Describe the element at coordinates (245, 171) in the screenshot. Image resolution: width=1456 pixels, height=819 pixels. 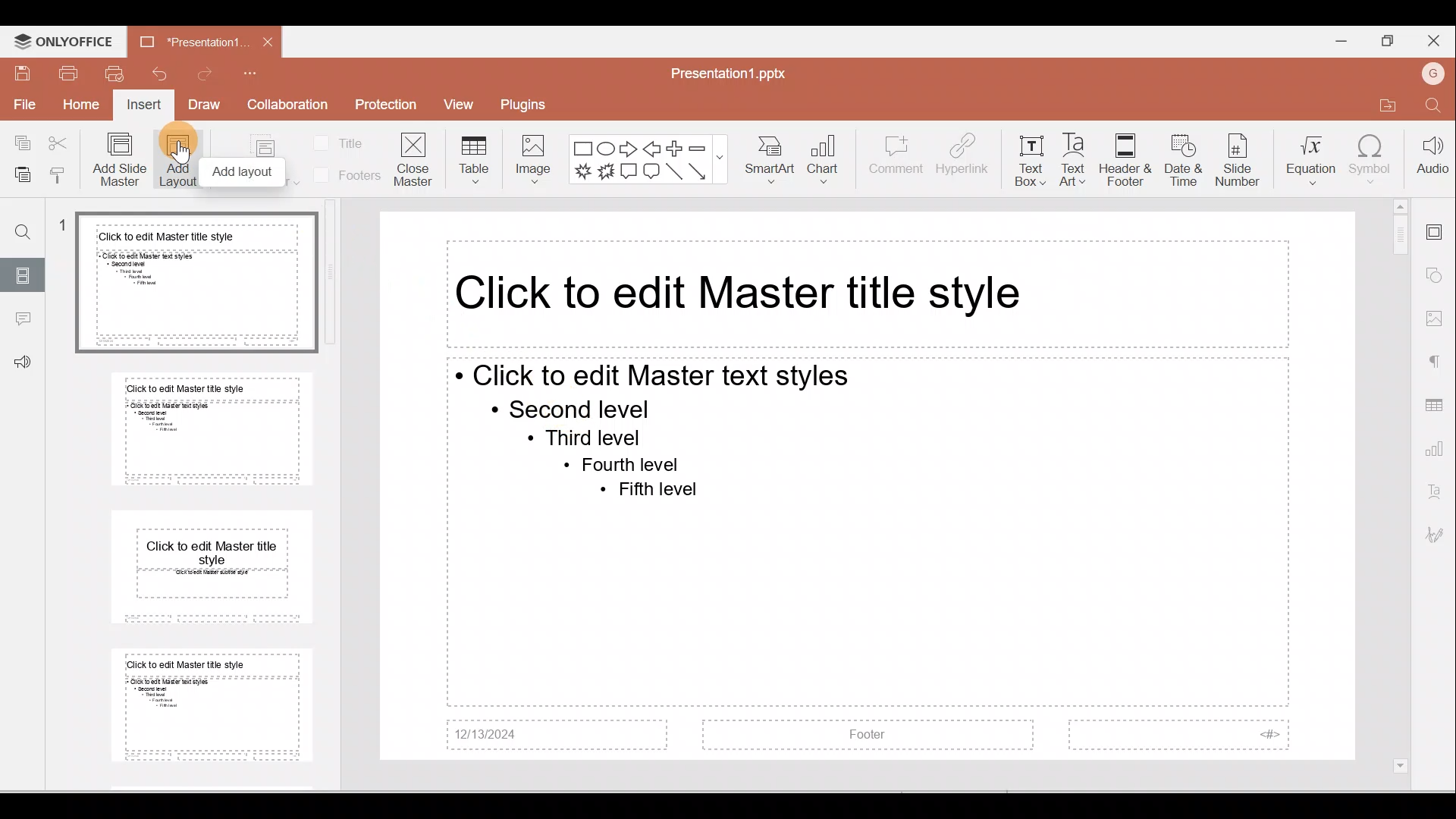
I see `Add layout` at that location.